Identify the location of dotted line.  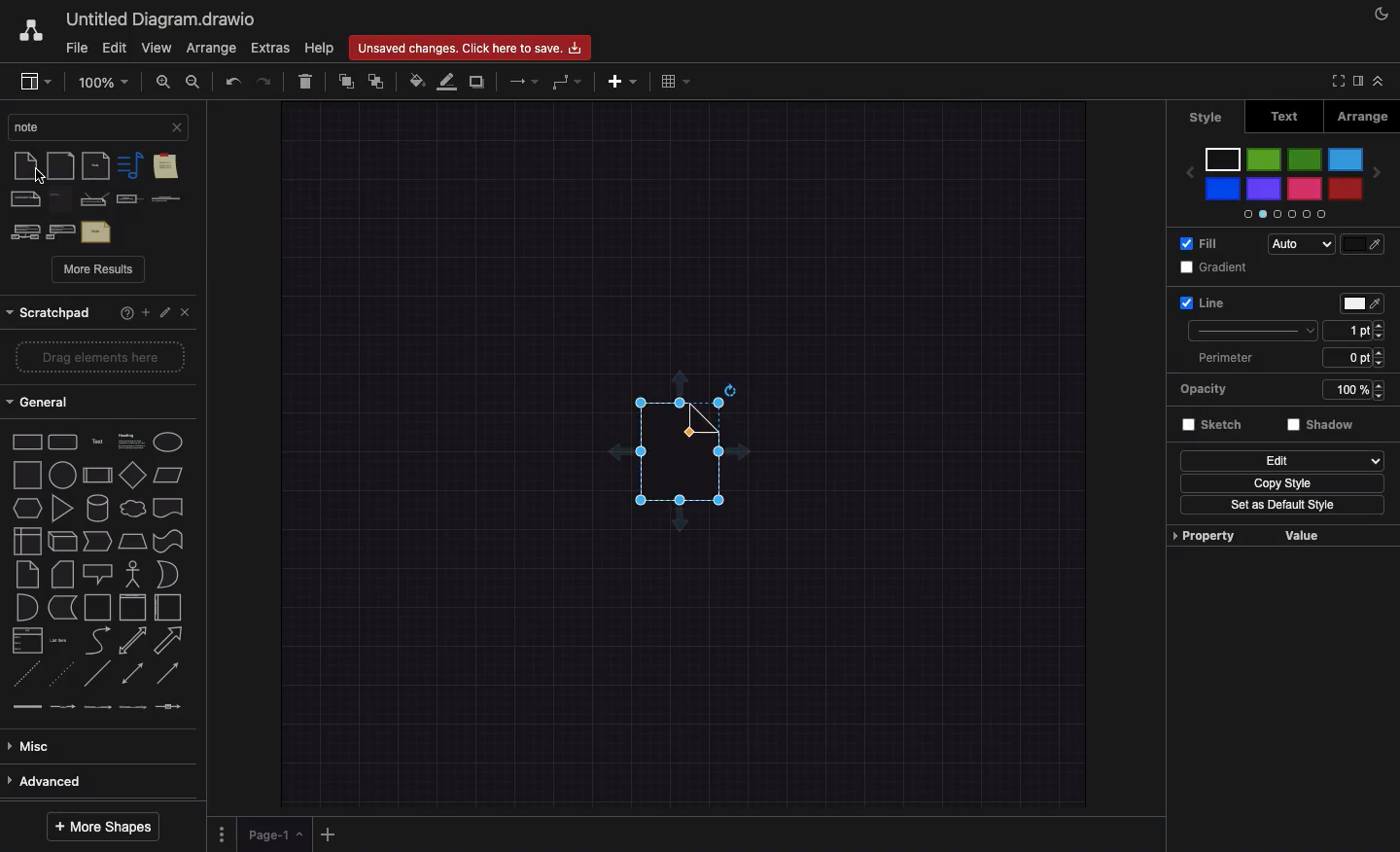
(62, 677).